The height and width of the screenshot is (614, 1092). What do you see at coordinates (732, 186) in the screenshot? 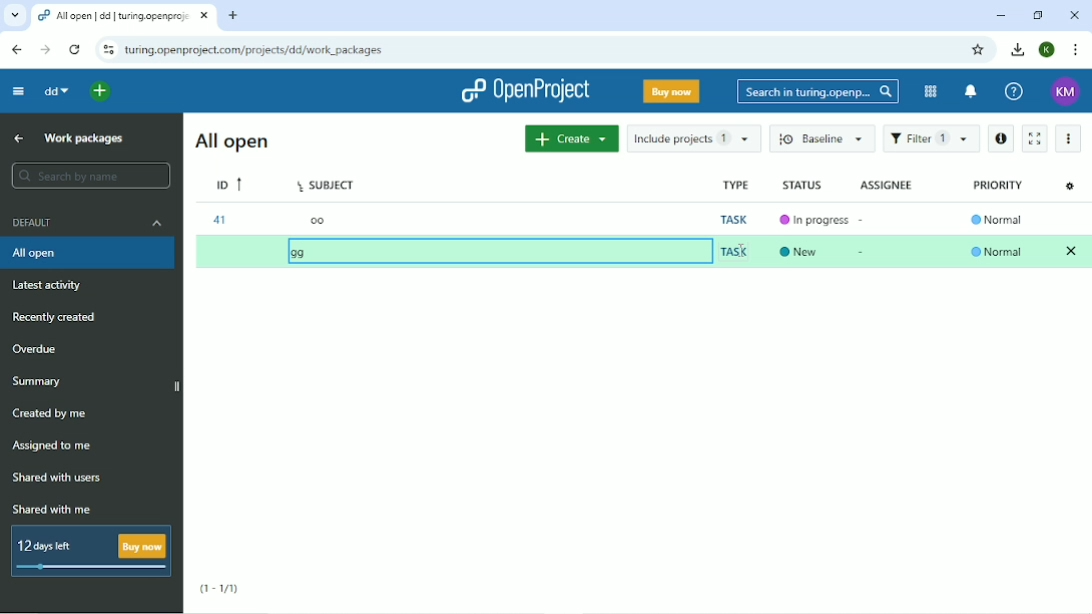
I see `Type` at bounding box center [732, 186].